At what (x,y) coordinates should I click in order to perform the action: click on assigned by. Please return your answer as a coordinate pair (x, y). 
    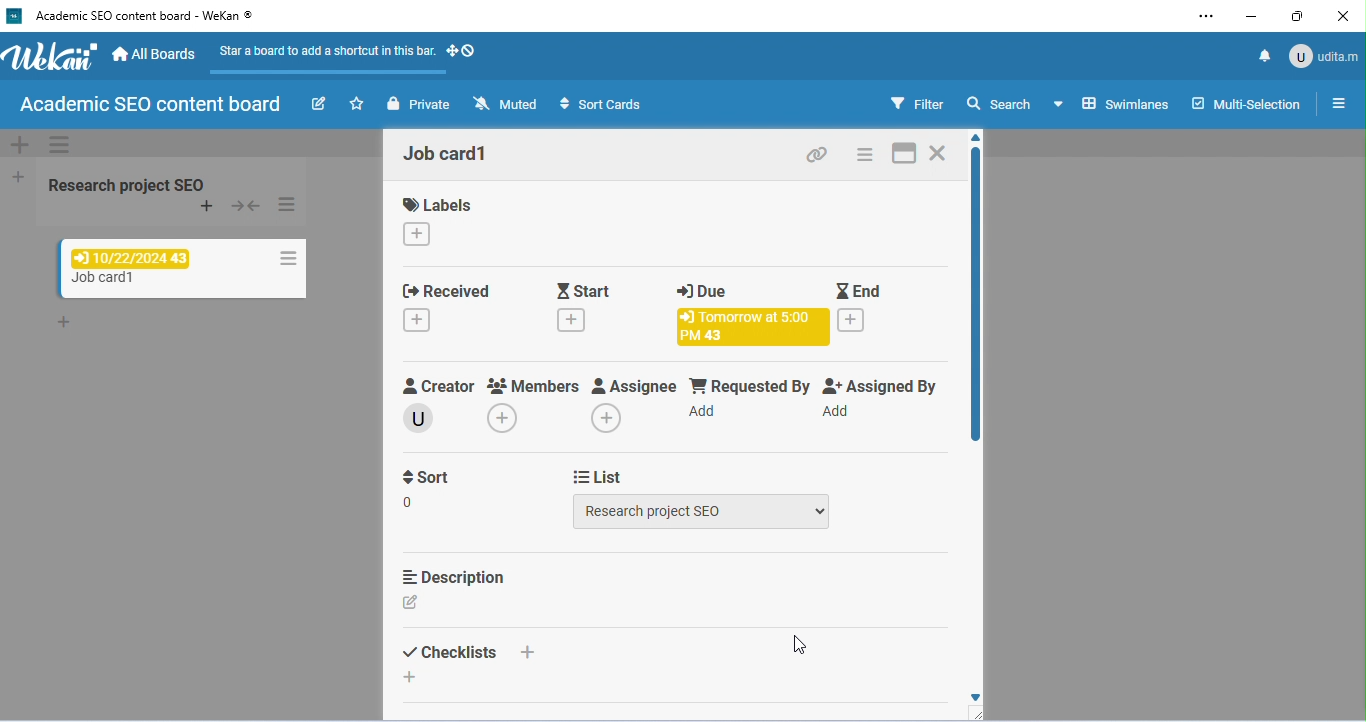
    Looking at the image, I should click on (884, 385).